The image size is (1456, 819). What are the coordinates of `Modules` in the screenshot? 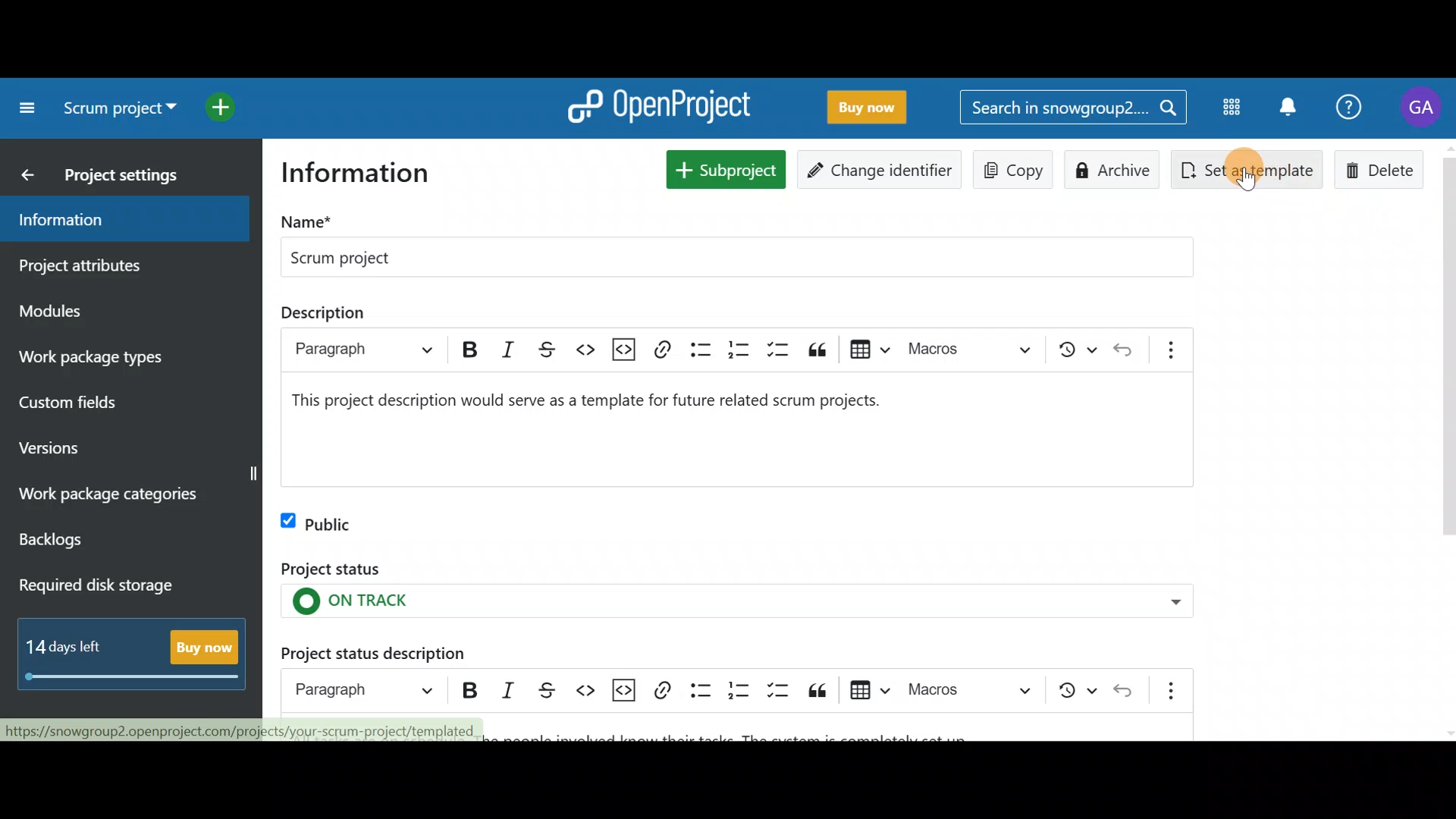 It's located at (1228, 111).